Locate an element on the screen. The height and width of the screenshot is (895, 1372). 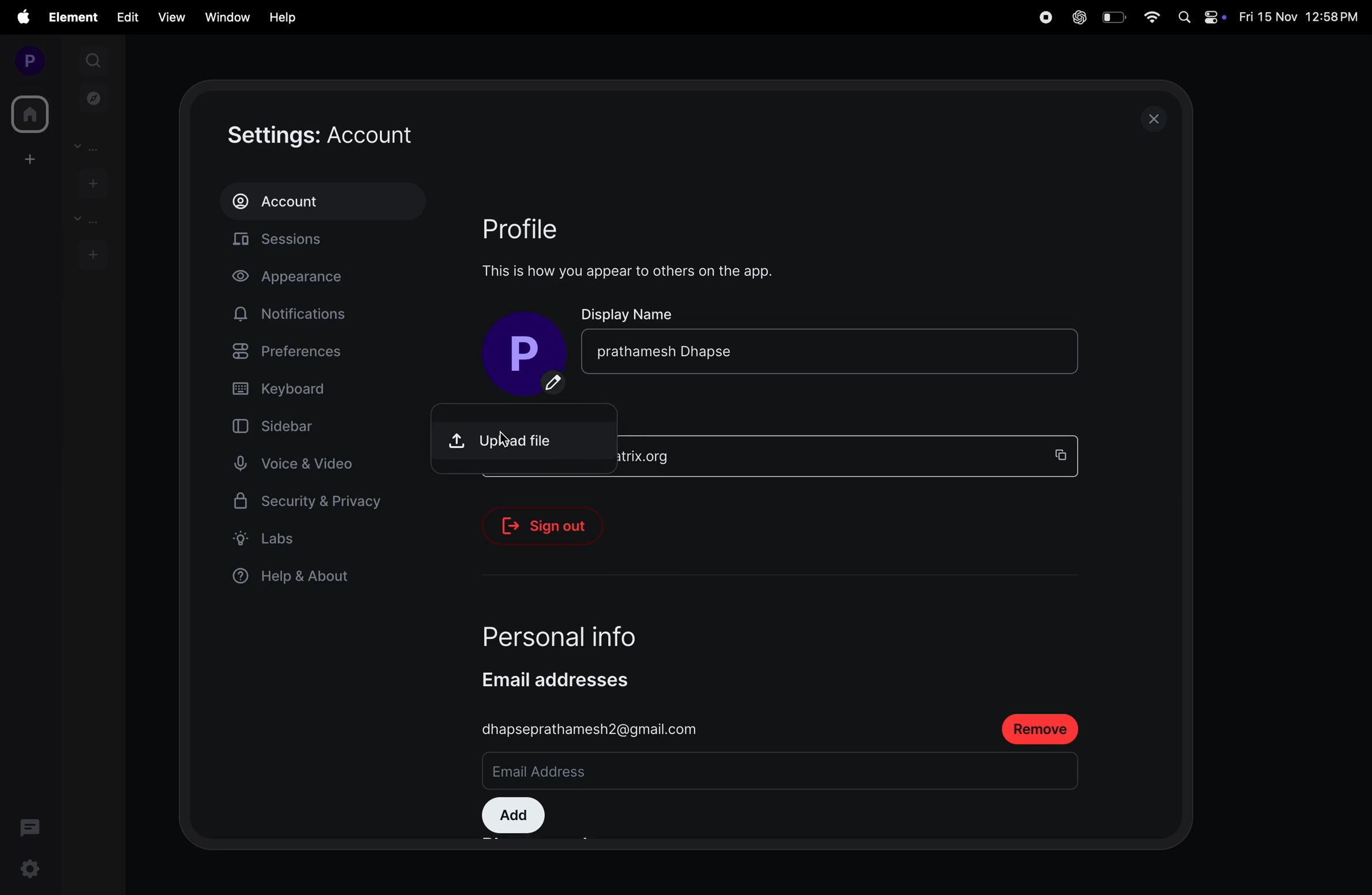
settings account is located at coordinates (360, 136).